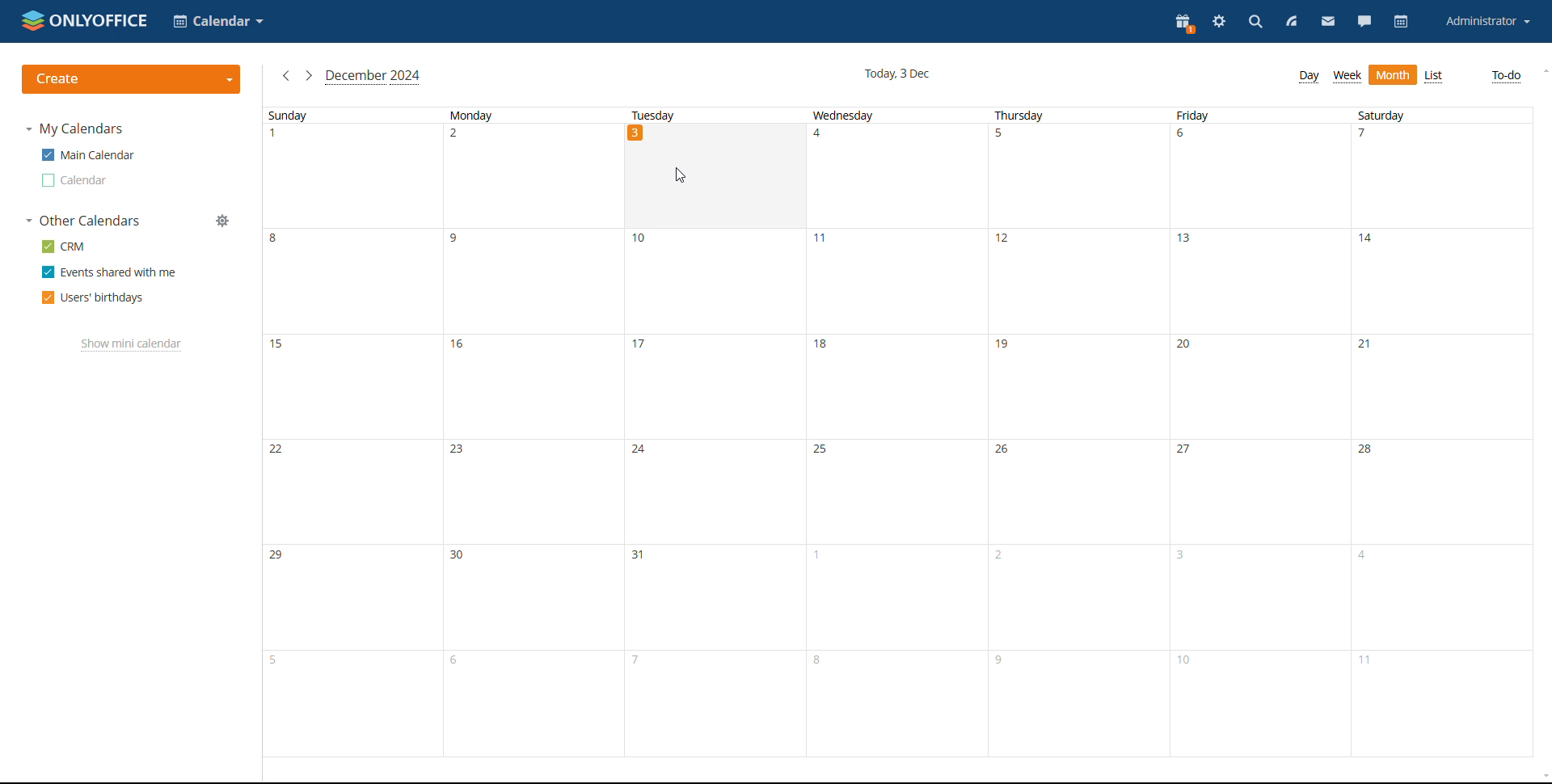 The height and width of the screenshot is (784, 1552). I want to click on day view, so click(1308, 76).